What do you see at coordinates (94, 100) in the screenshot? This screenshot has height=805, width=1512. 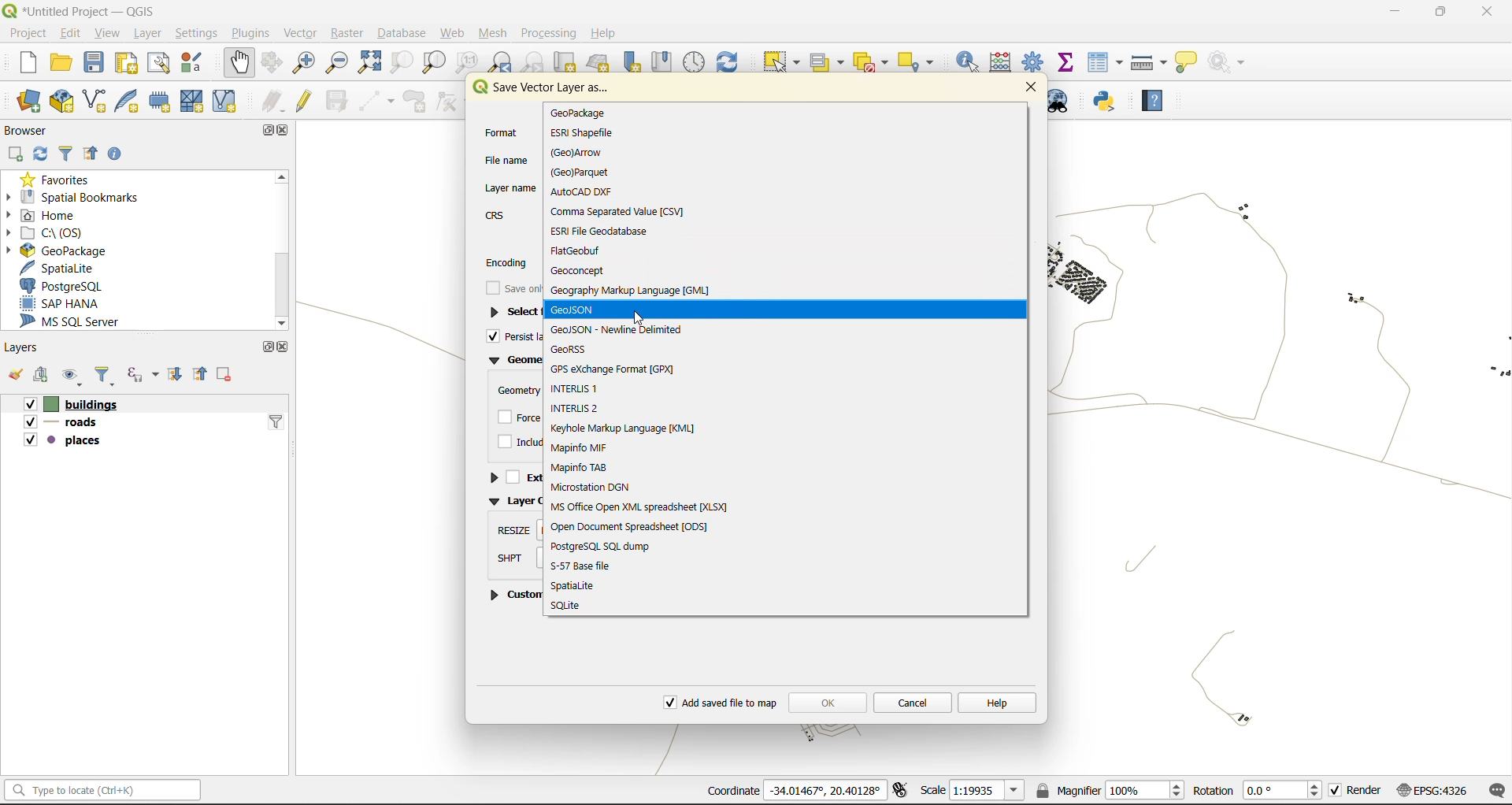 I see `new shapefile` at bounding box center [94, 100].